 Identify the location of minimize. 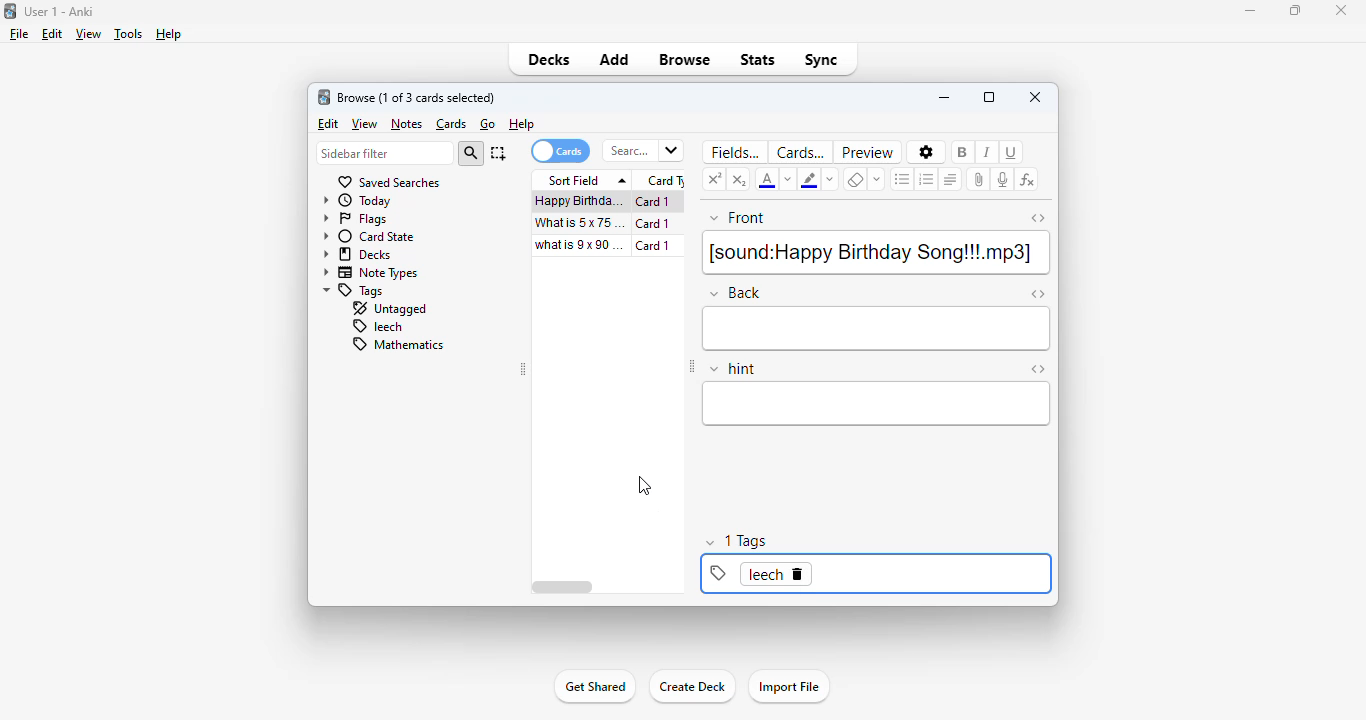
(944, 97).